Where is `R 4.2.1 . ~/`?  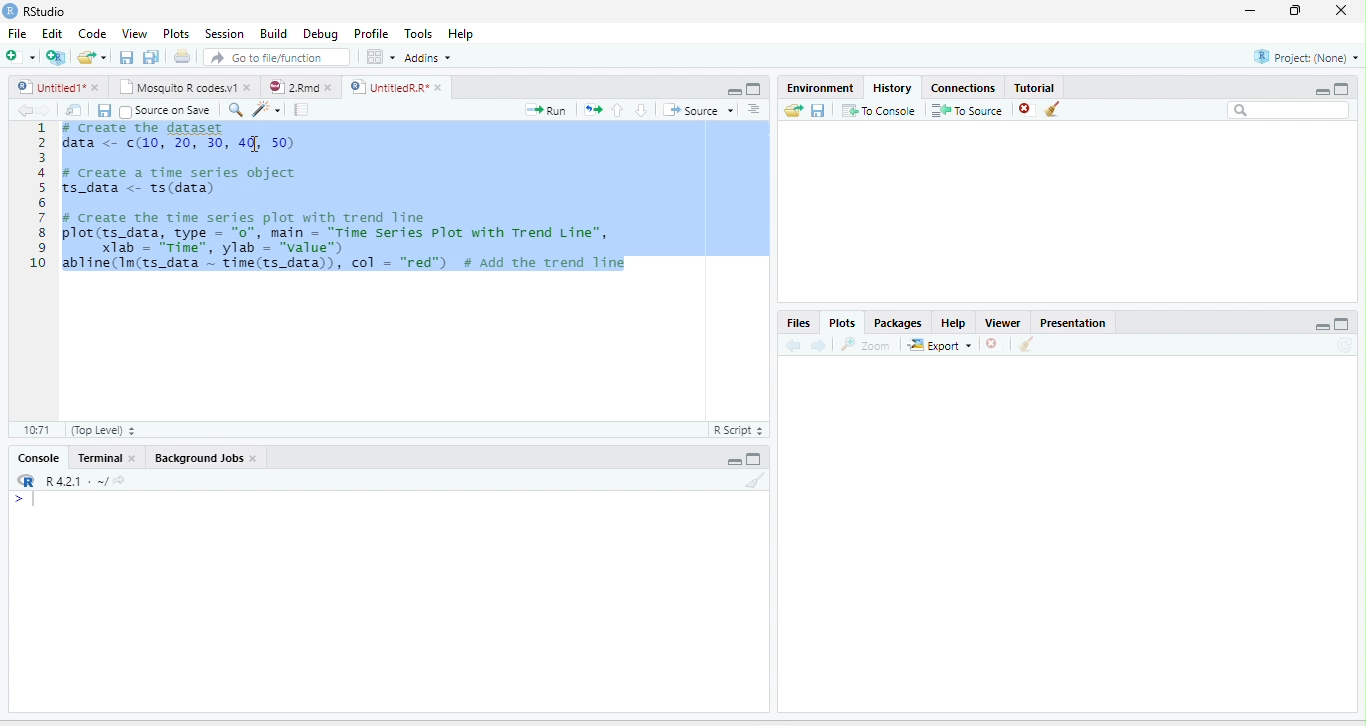
R 4.2.1 . ~/ is located at coordinates (76, 479).